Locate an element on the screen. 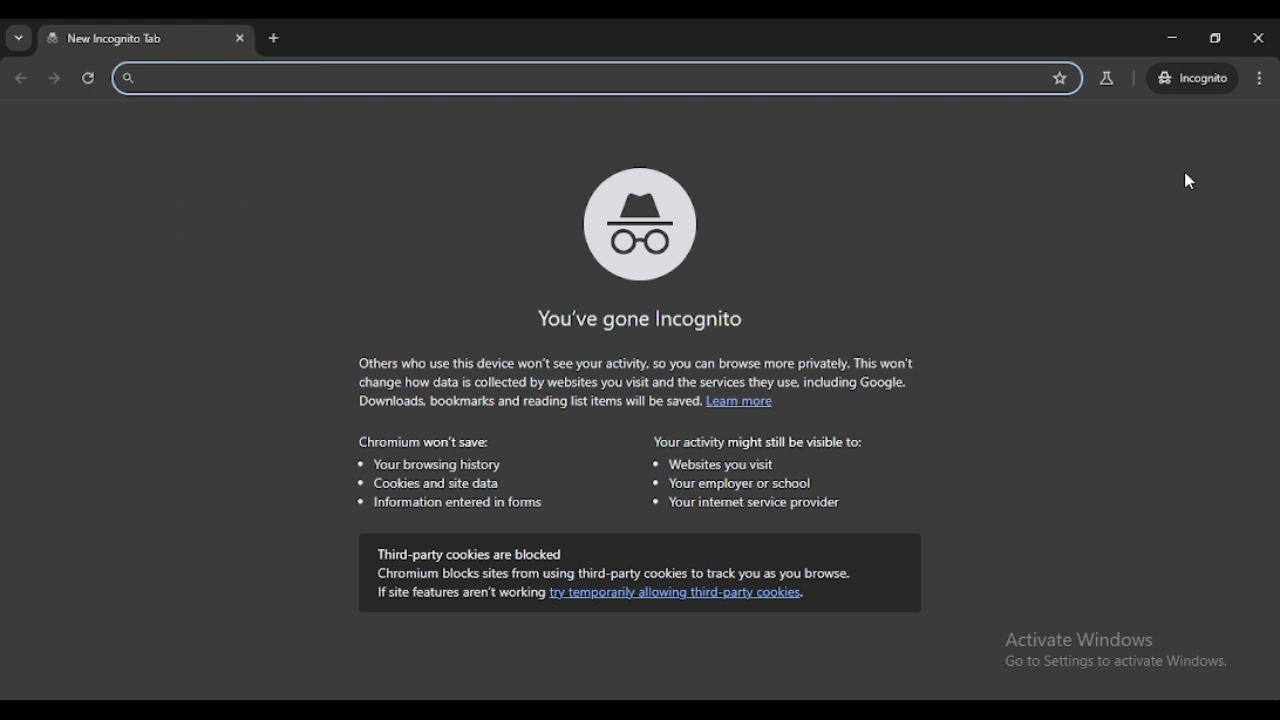 The width and height of the screenshot is (1280, 720). incognito mode information is located at coordinates (637, 384).